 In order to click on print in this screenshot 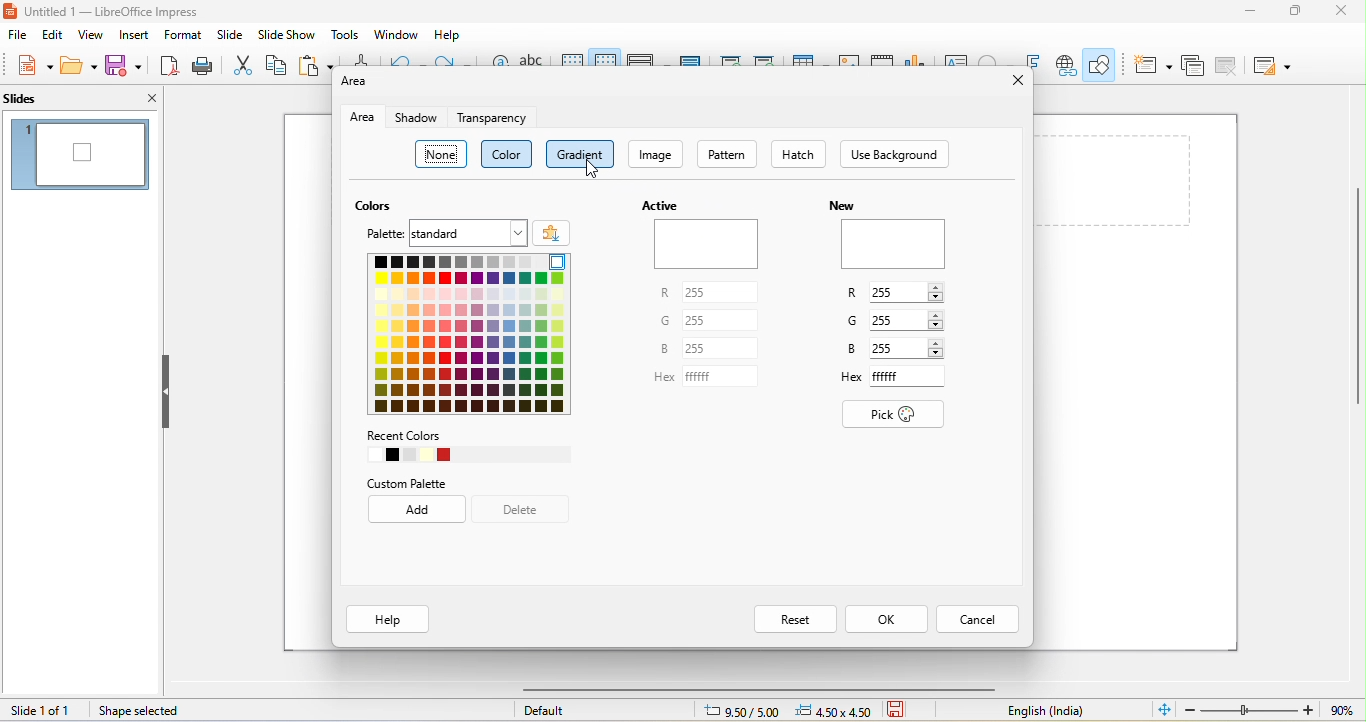, I will do `click(201, 65)`.